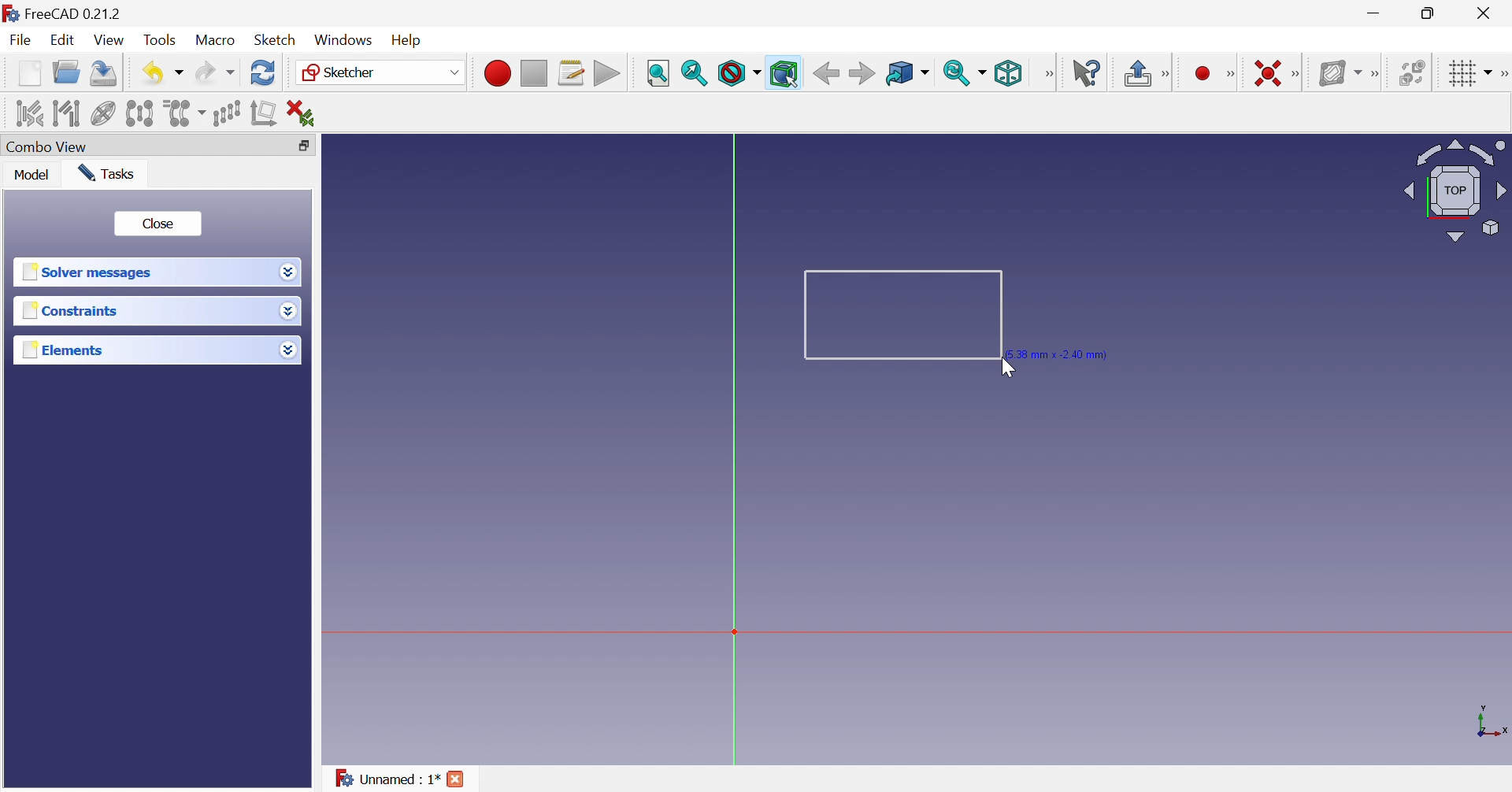 This screenshot has width=1512, height=792. What do you see at coordinates (1138, 74) in the screenshot?
I see `Leave sketch` at bounding box center [1138, 74].